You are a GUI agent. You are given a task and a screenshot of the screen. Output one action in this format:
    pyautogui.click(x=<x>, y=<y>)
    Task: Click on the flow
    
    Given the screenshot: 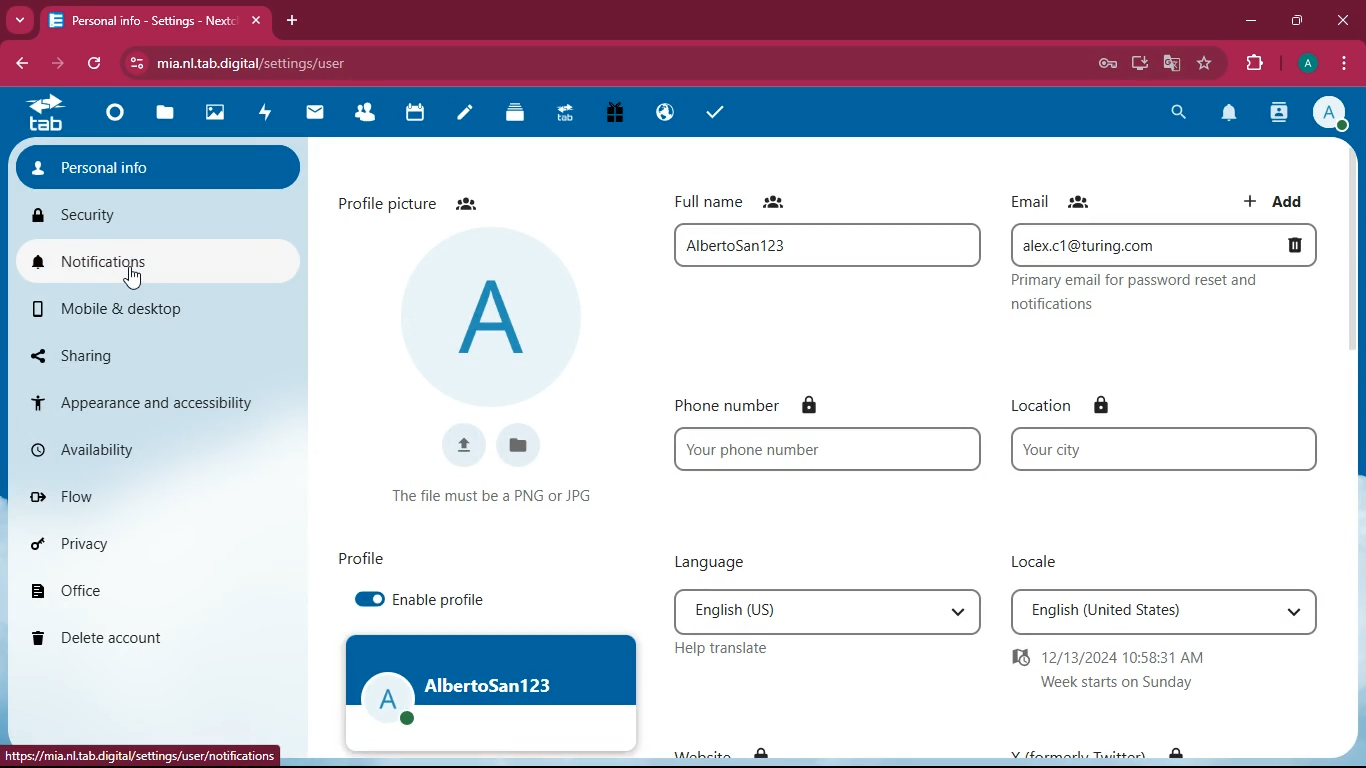 What is the action you would take?
    pyautogui.click(x=150, y=504)
    